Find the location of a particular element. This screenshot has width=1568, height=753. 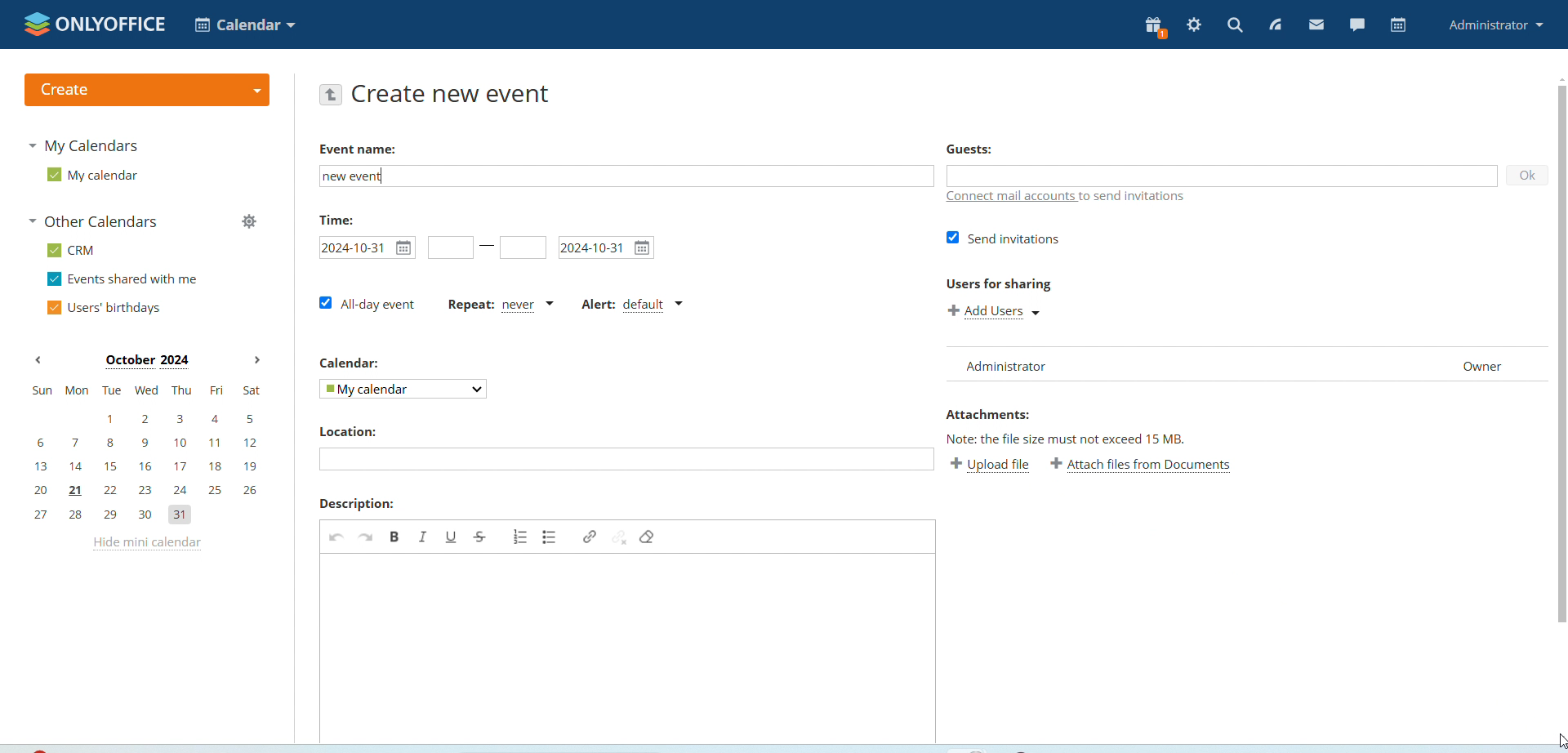

Note: the file size must not exceed 15 mb is located at coordinates (1067, 439).